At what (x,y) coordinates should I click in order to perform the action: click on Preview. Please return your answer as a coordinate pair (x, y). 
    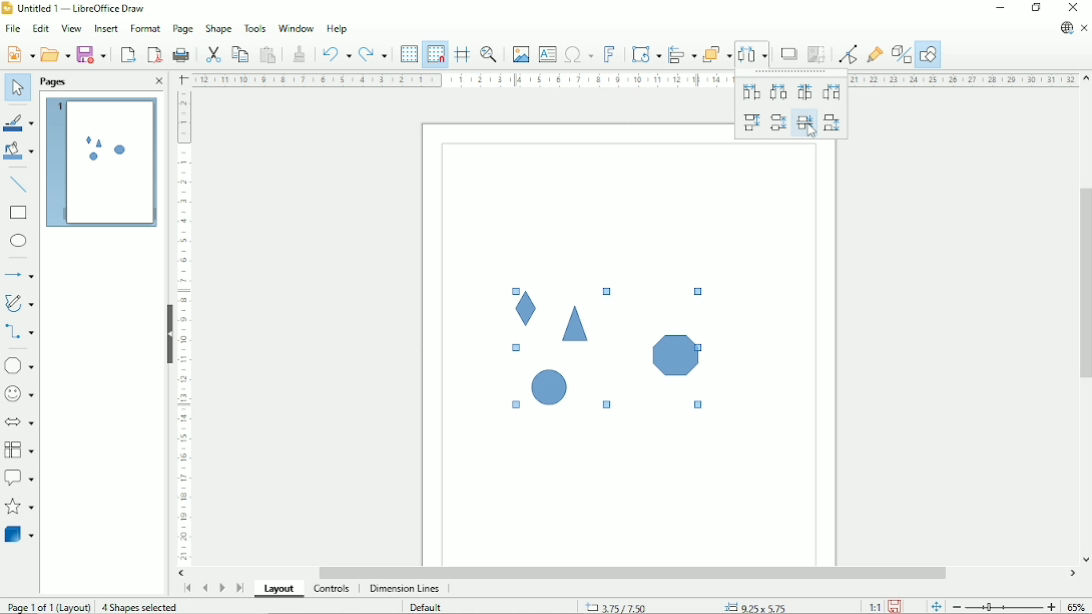
    Looking at the image, I should click on (101, 164).